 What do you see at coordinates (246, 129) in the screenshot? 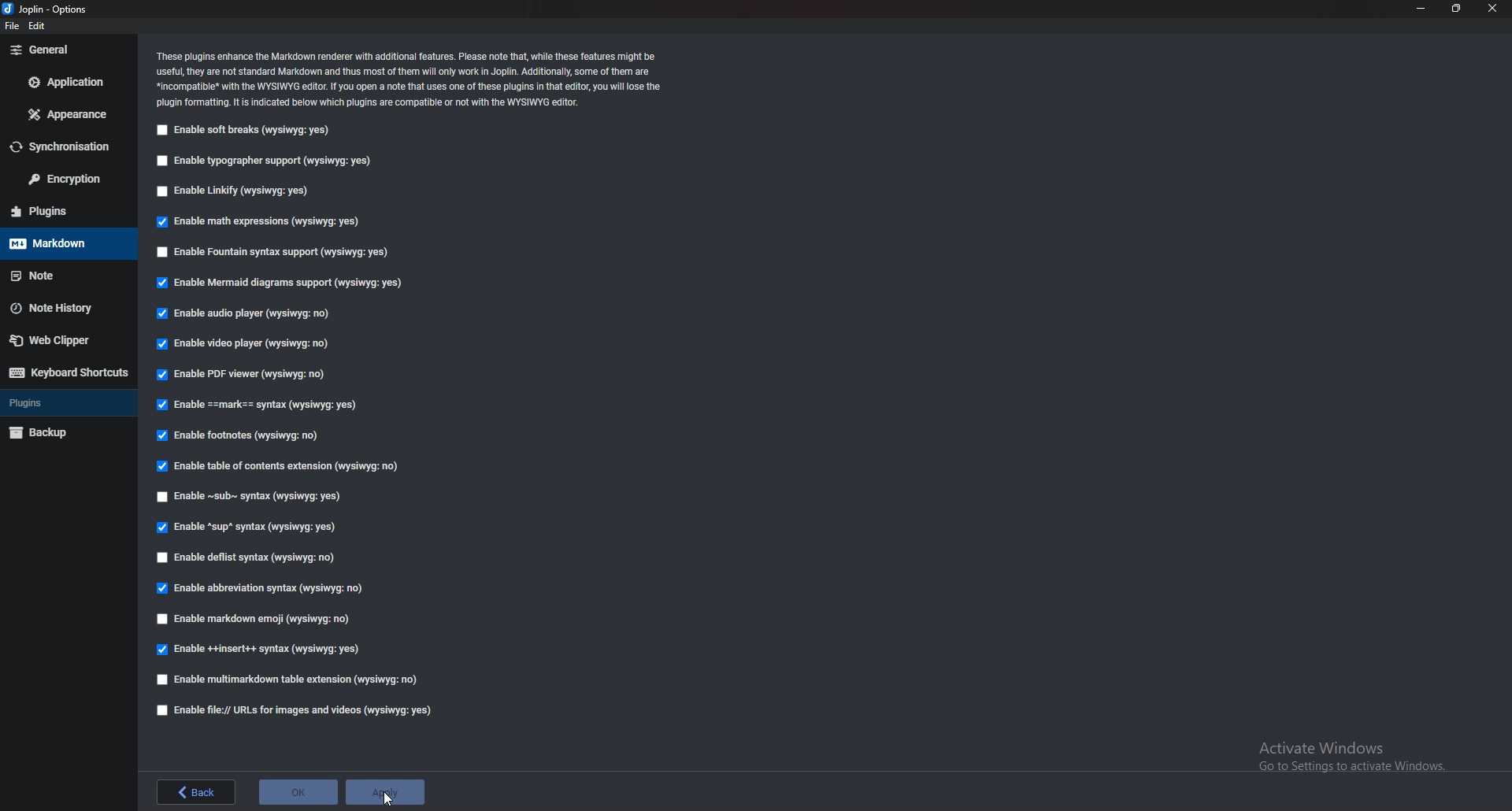
I see `enable soft brakes` at bounding box center [246, 129].